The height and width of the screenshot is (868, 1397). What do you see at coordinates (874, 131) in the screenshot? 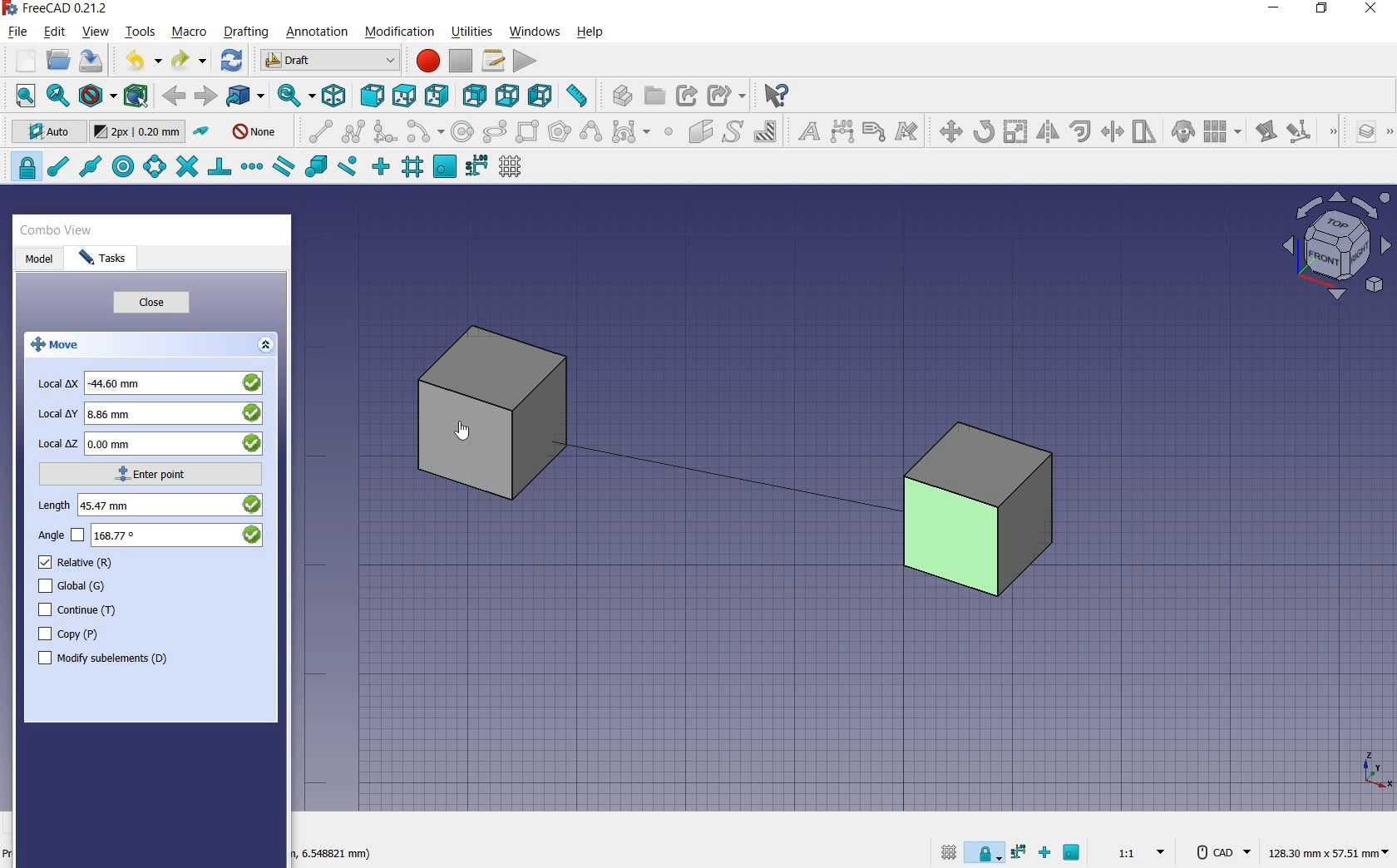
I see `label` at bounding box center [874, 131].